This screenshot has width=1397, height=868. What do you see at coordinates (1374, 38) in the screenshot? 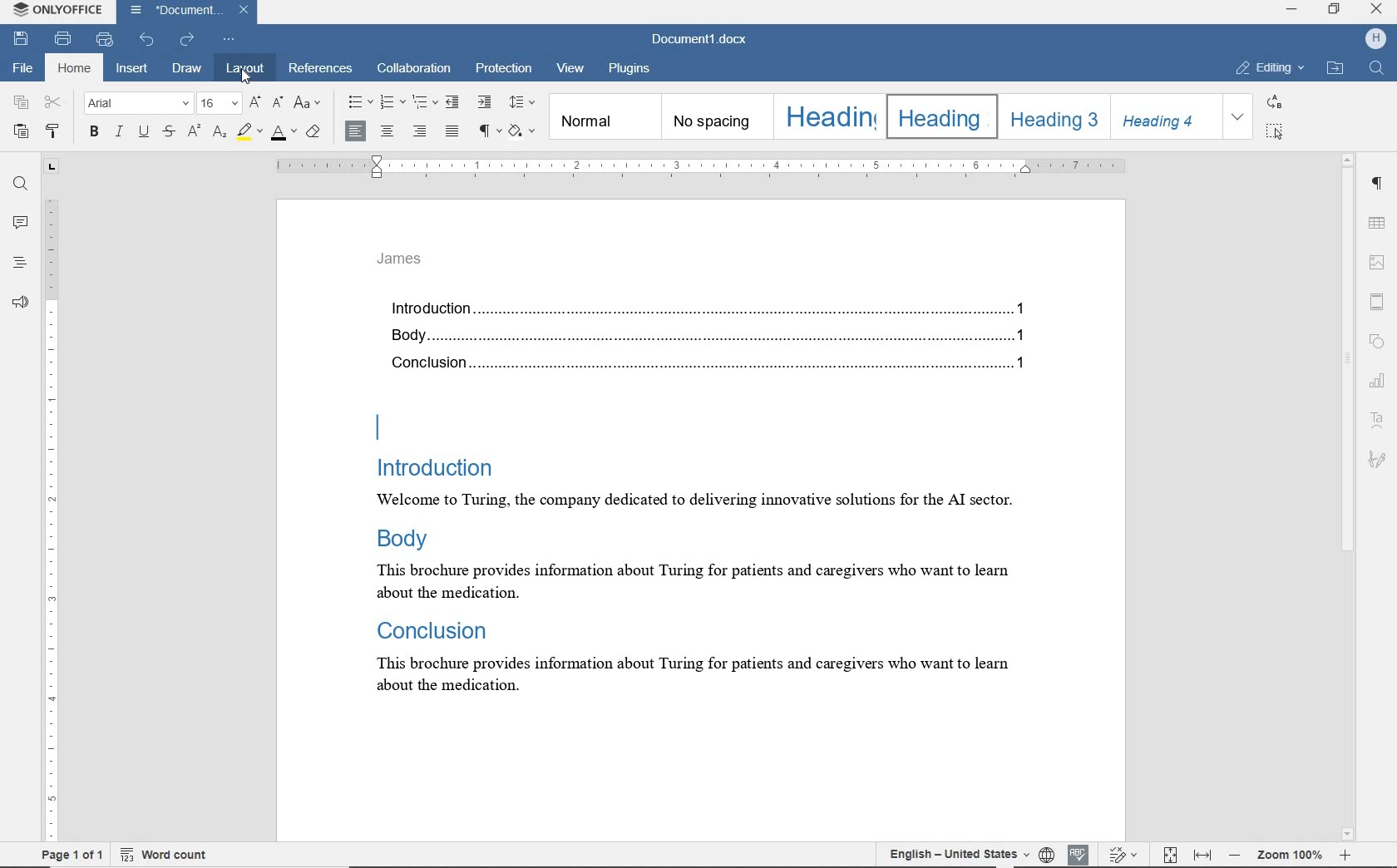
I see `HP` at bounding box center [1374, 38].